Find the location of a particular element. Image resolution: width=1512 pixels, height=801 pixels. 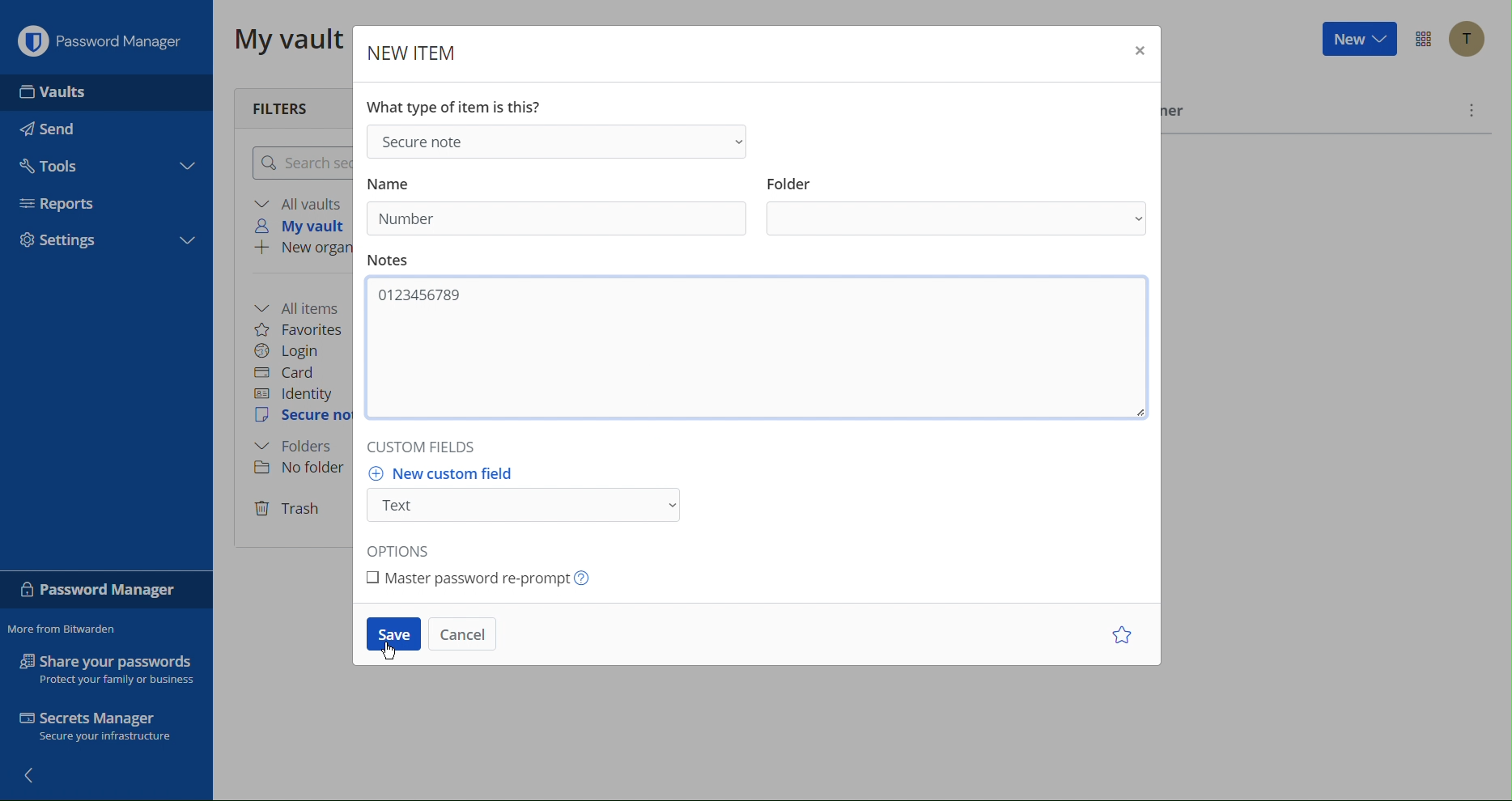

Options is located at coordinates (1421, 40).